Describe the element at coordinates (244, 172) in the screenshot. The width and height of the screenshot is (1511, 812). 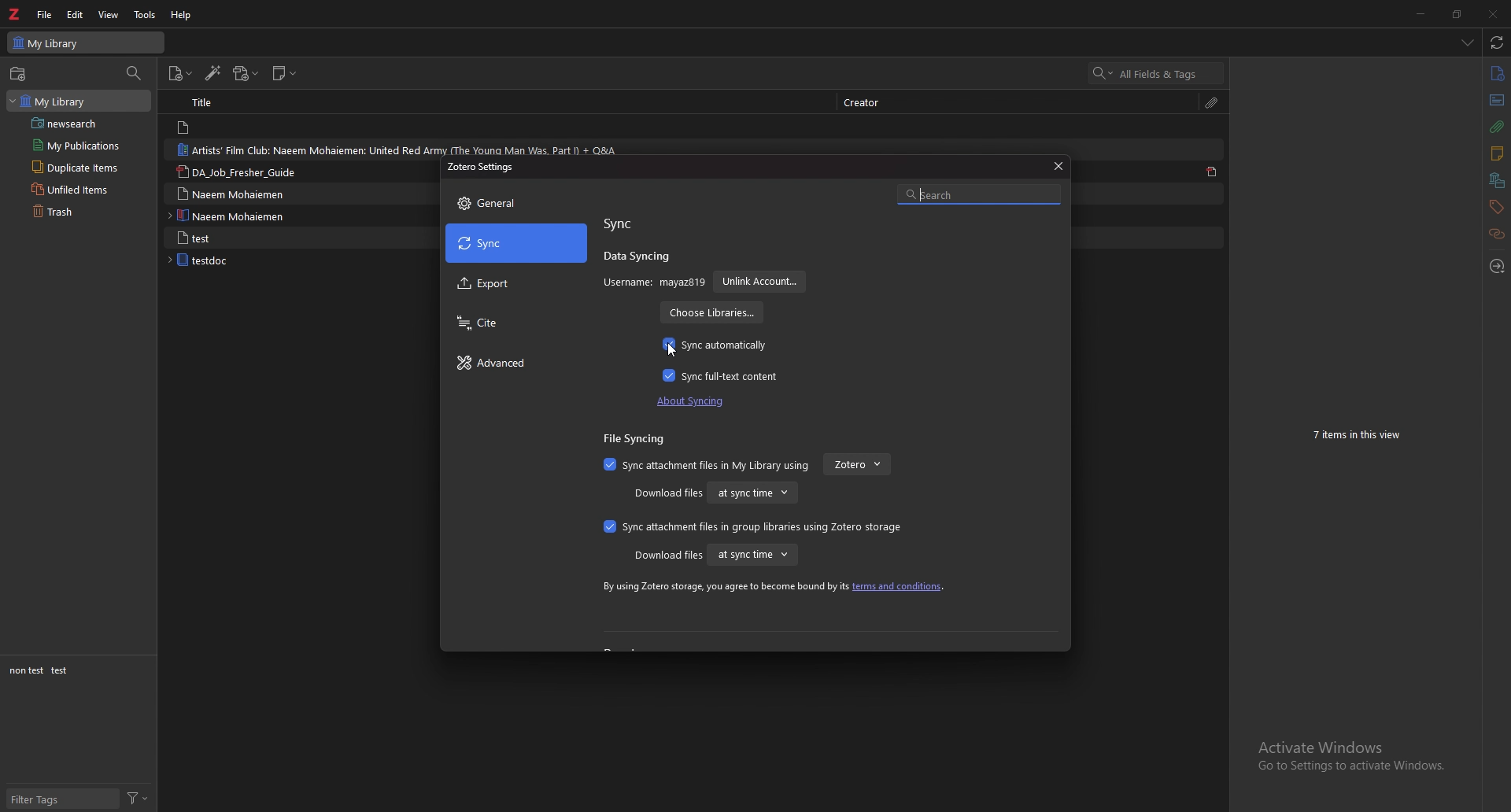
I see `DA_Job_Fresher_Guide` at that location.